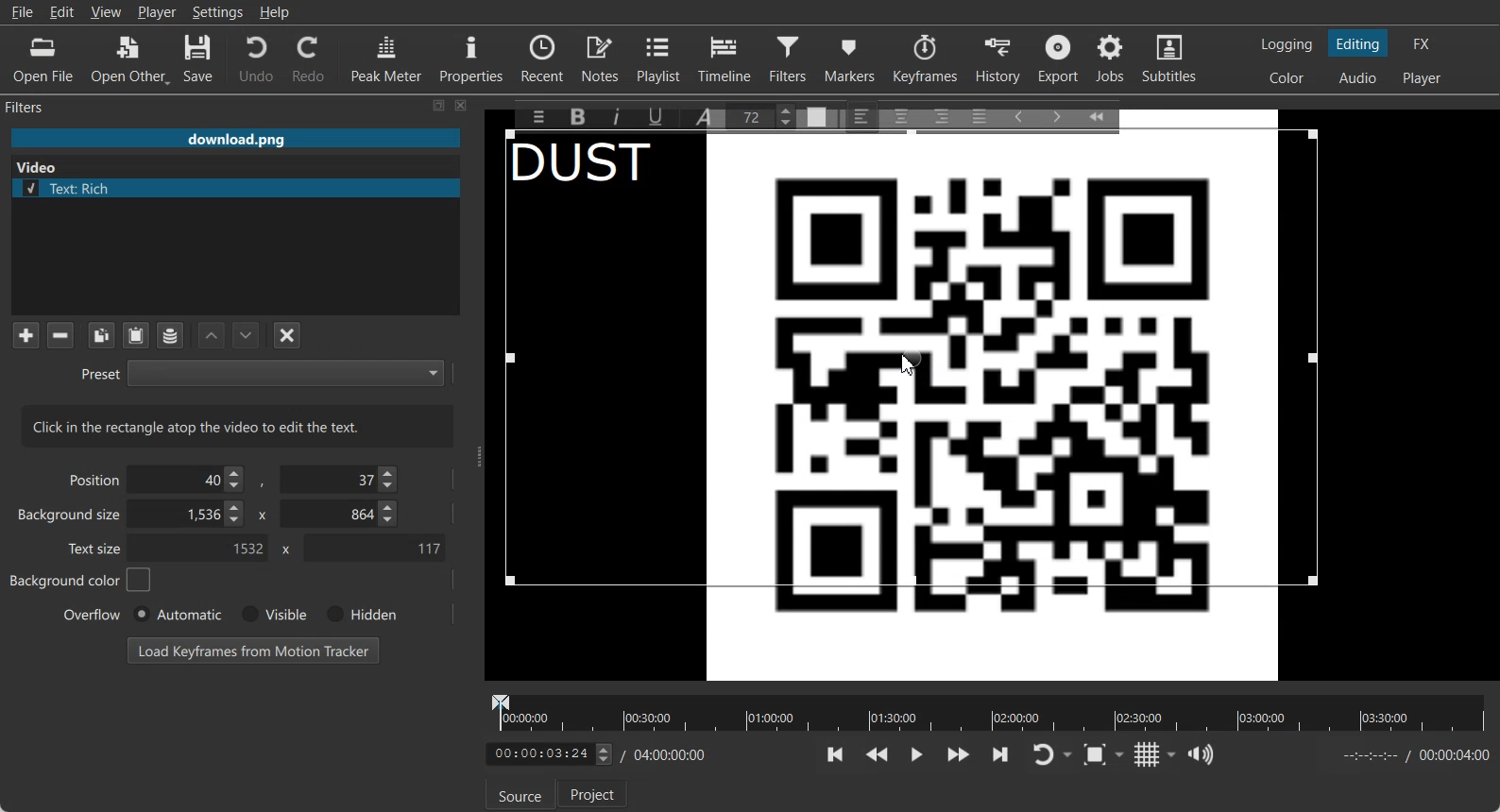 The height and width of the screenshot is (812, 1500). Describe the element at coordinates (1112, 59) in the screenshot. I see `Jobs` at that location.